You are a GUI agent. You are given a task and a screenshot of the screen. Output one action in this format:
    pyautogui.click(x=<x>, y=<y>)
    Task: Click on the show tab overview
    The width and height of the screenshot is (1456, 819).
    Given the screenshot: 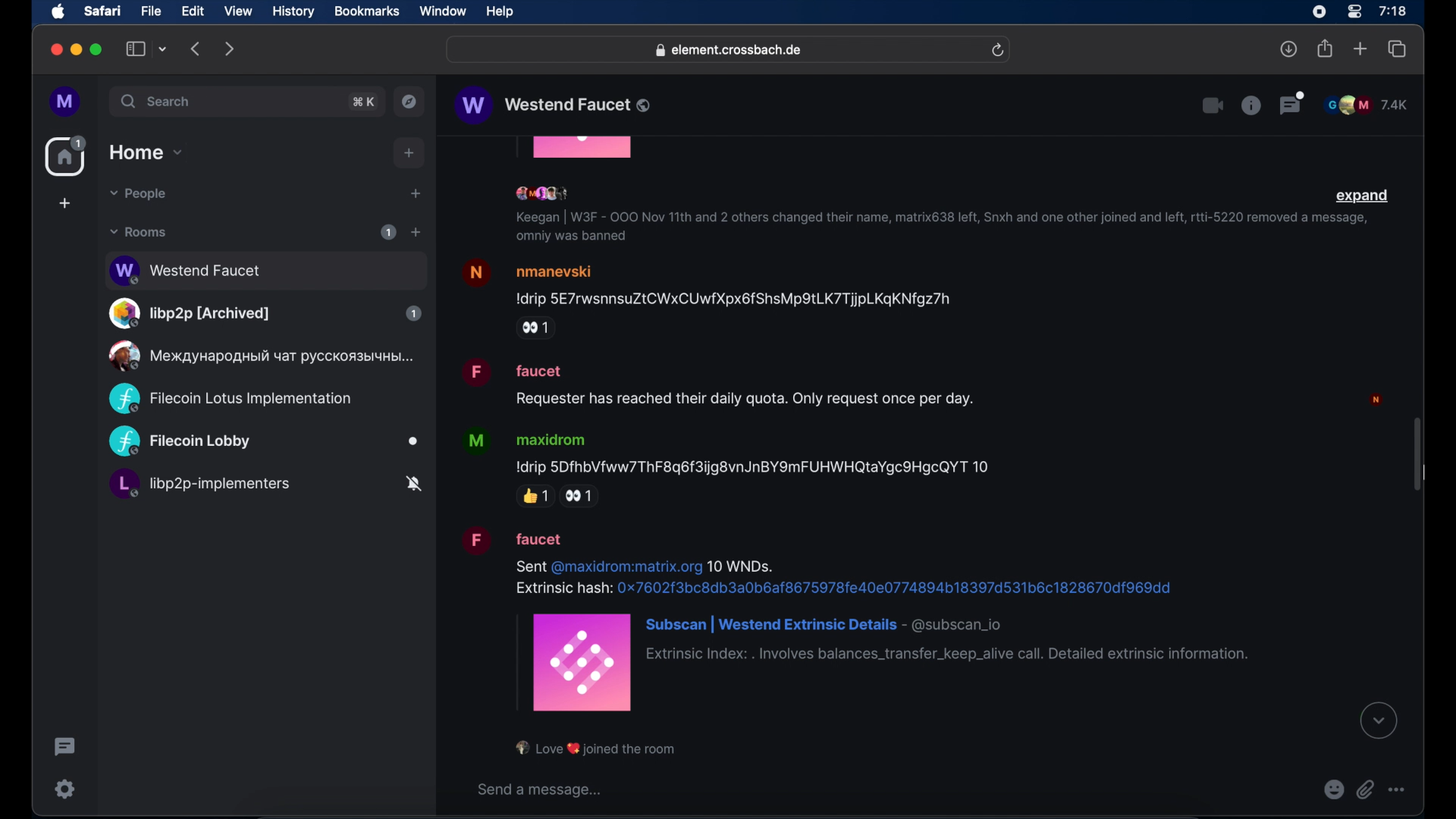 What is the action you would take?
    pyautogui.click(x=1398, y=49)
    